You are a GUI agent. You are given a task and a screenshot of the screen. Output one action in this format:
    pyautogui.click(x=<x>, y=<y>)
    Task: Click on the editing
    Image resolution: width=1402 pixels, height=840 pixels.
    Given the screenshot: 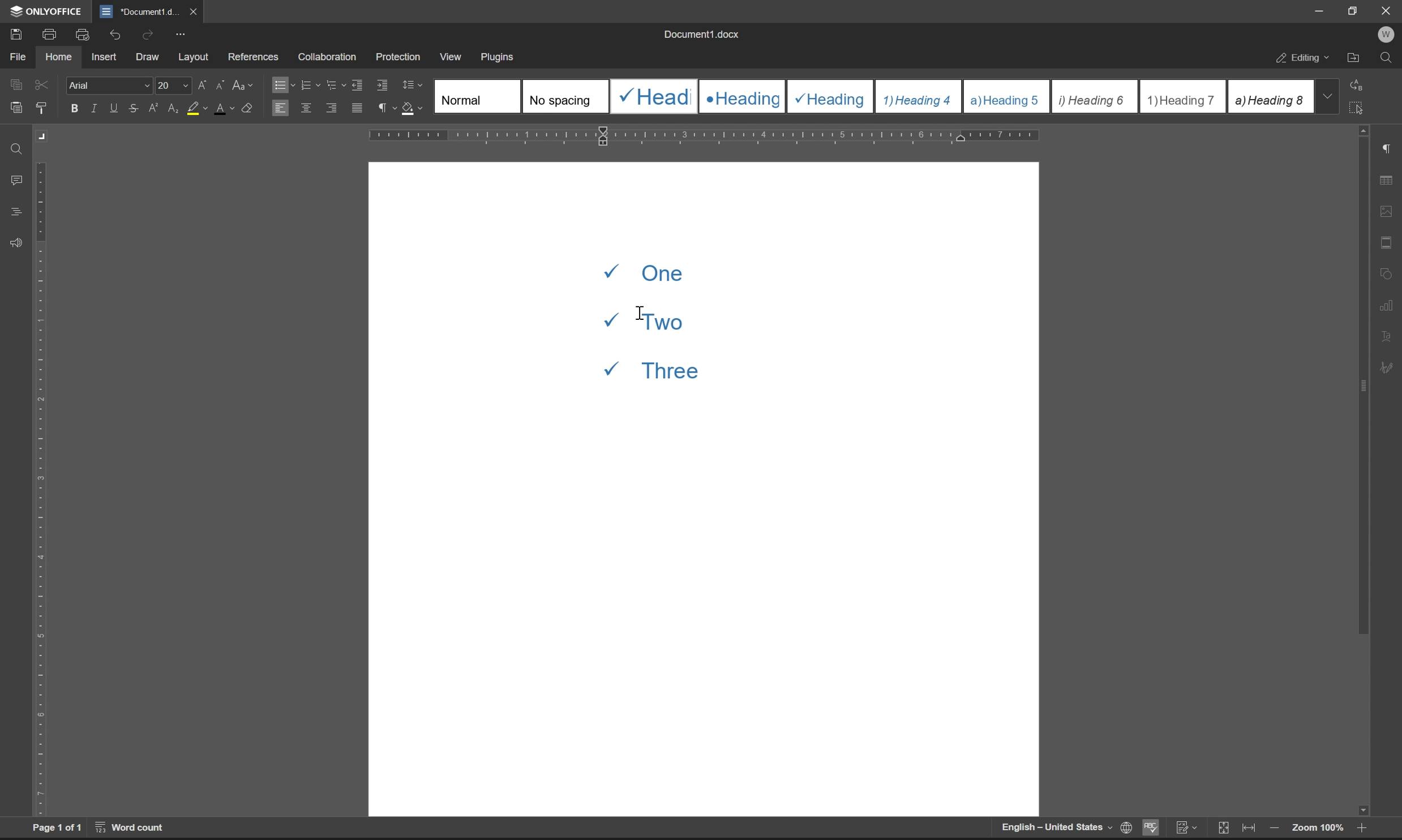 What is the action you would take?
    pyautogui.click(x=1304, y=59)
    